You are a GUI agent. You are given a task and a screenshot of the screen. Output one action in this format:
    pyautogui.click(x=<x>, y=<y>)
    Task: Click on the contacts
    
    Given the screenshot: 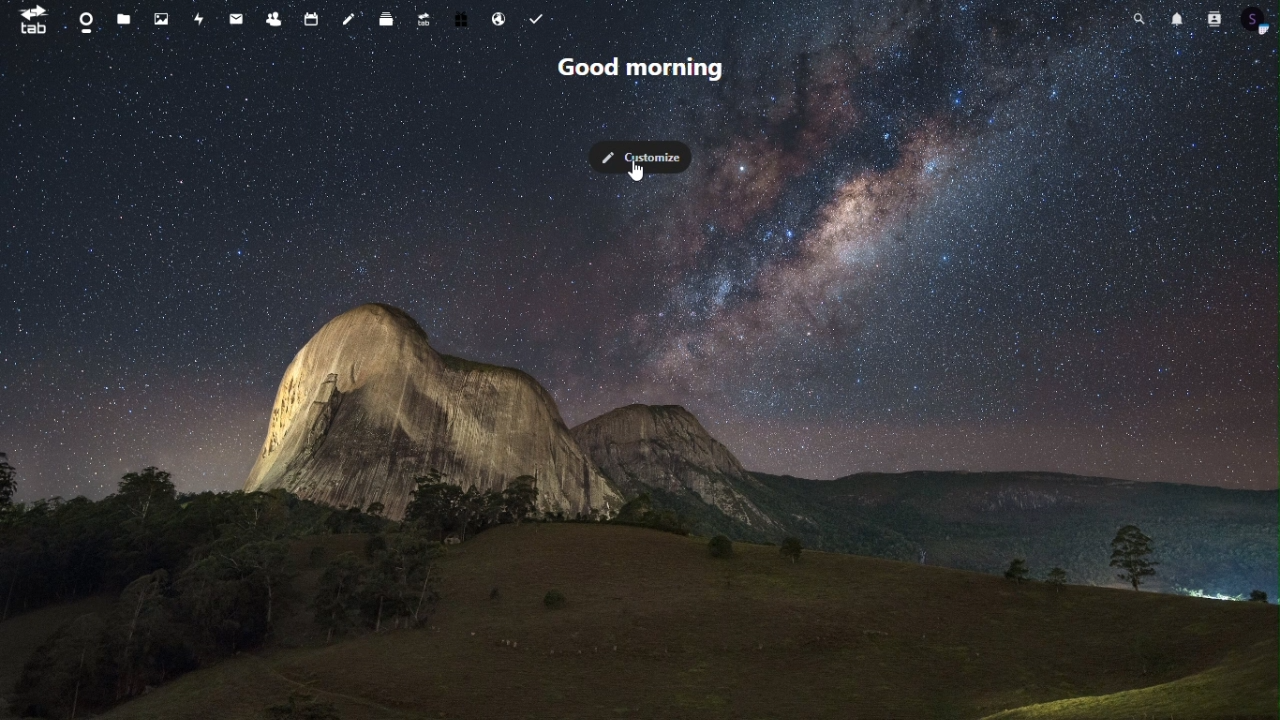 What is the action you would take?
    pyautogui.click(x=273, y=21)
    